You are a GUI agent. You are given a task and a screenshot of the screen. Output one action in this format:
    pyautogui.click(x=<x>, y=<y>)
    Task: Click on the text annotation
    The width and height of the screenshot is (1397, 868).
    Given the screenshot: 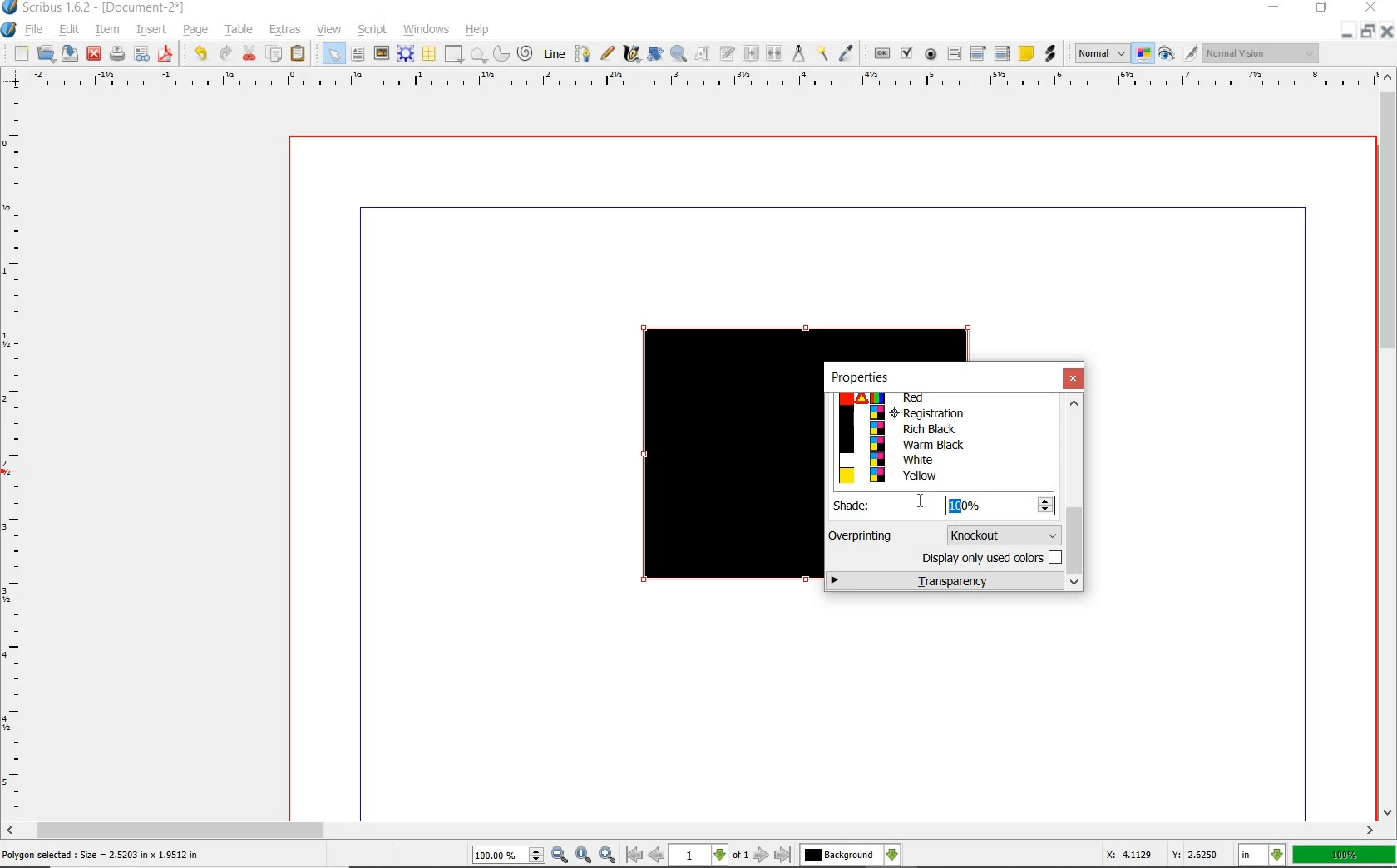 What is the action you would take?
    pyautogui.click(x=1026, y=53)
    